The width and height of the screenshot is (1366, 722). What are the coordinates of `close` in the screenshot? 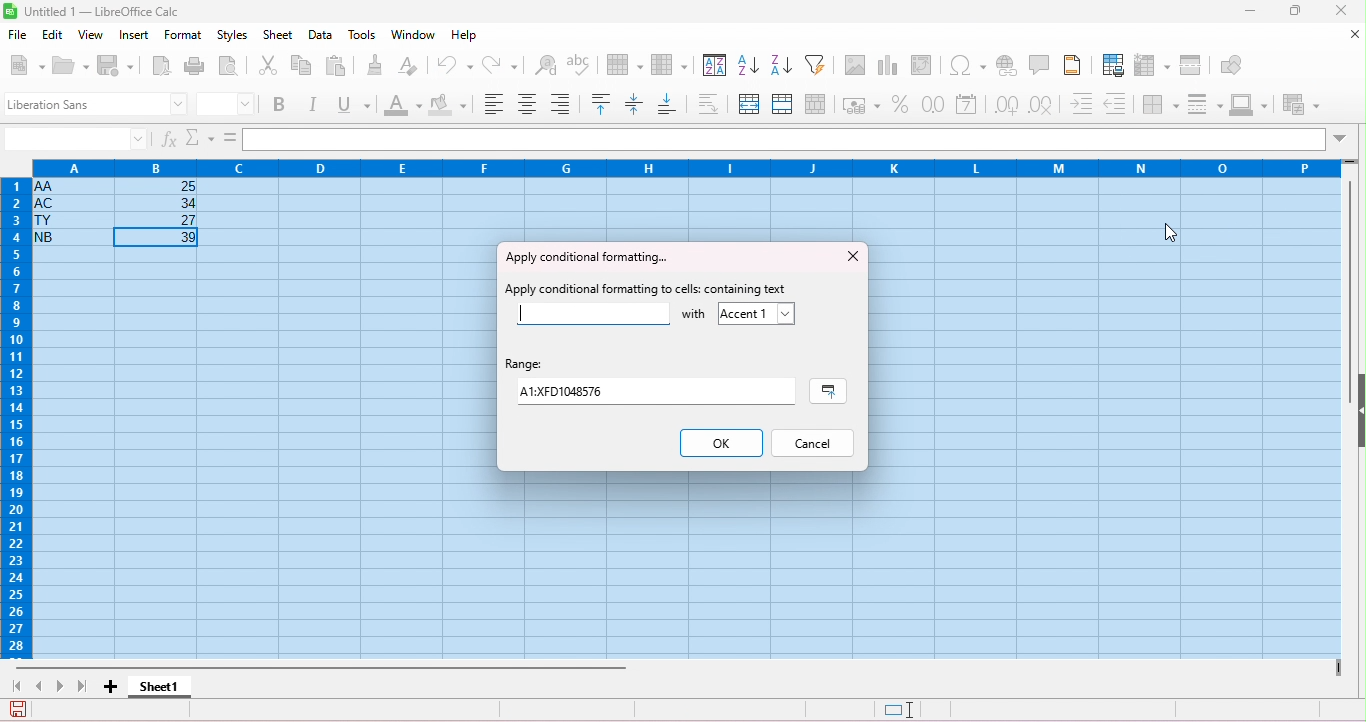 It's located at (849, 253).